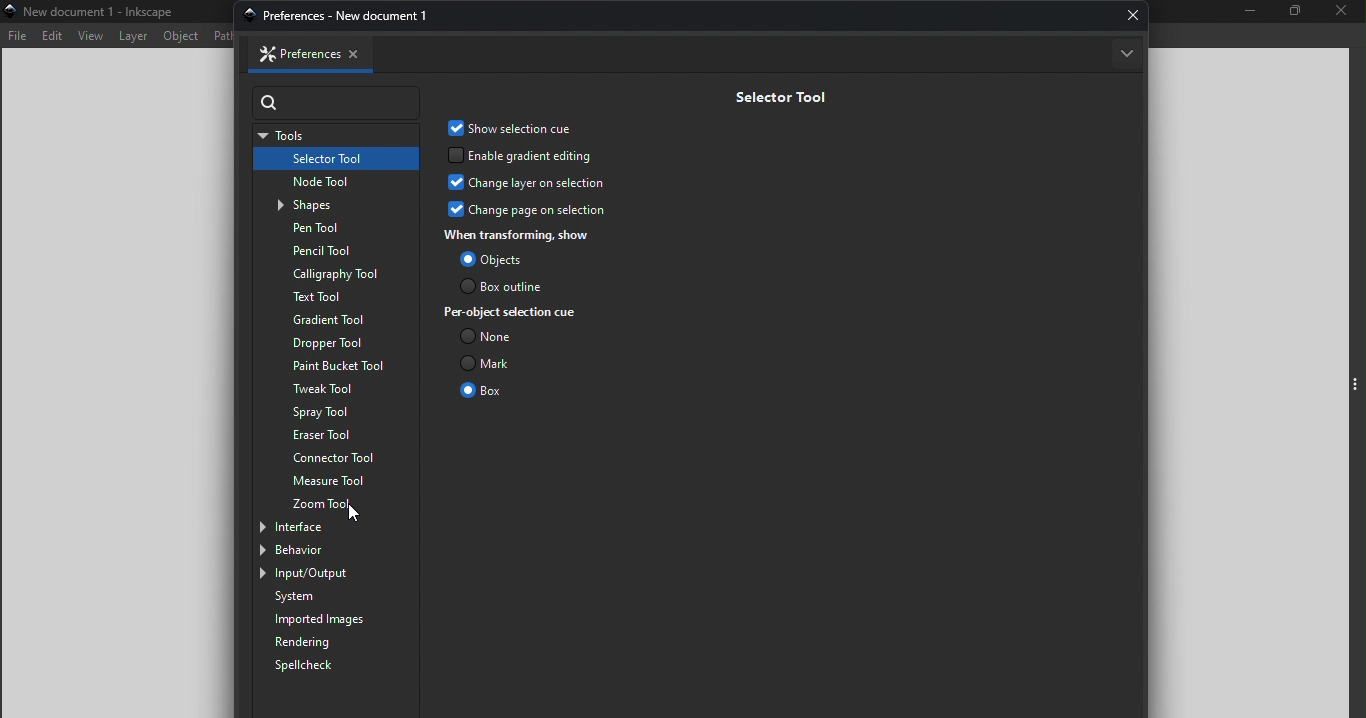 The width and height of the screenshot is (1366, 718). Describe the element at coordinates (357, 55) in the screenshot. I see `Close` at that location.